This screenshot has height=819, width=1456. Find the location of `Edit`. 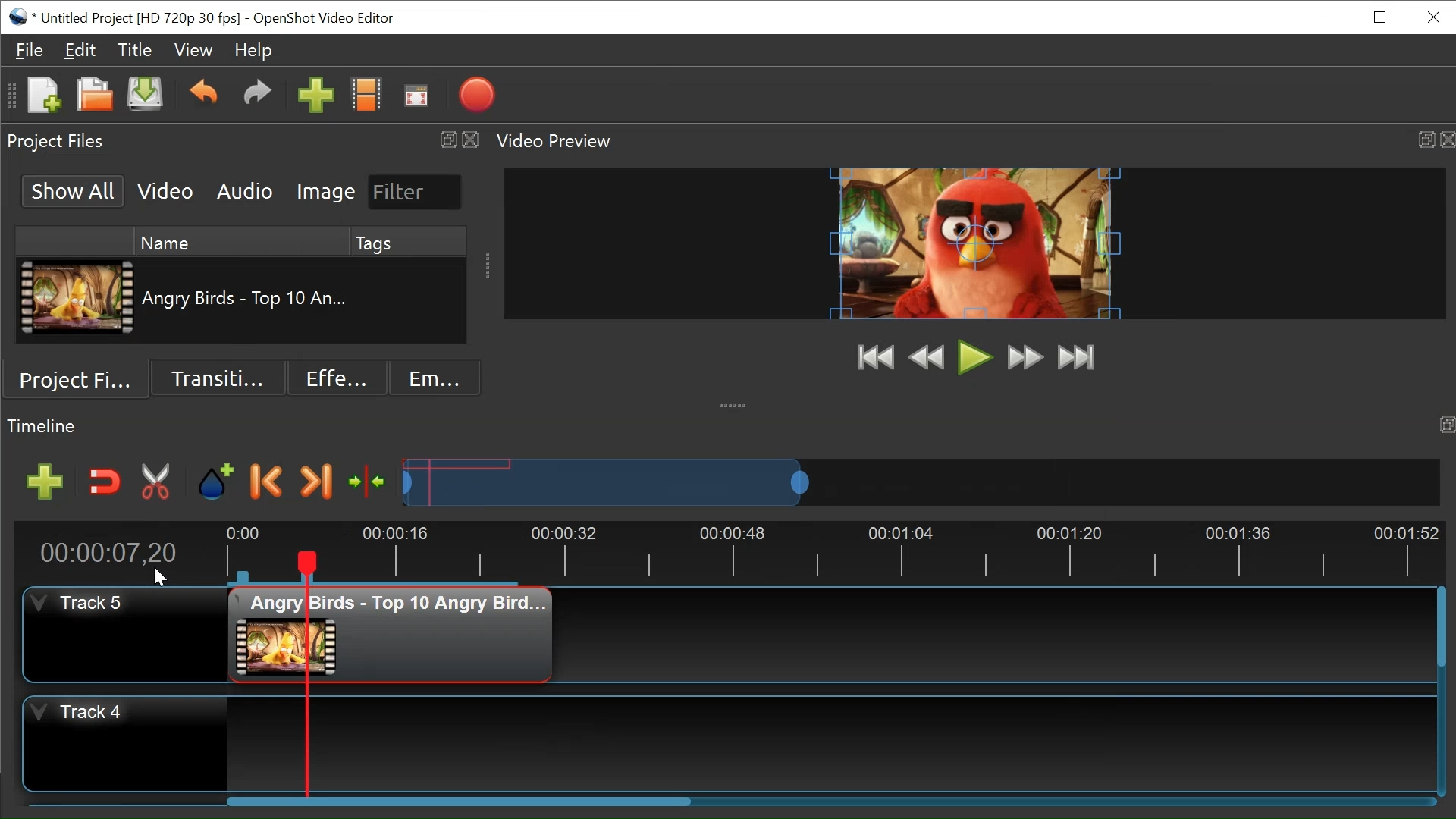

Edit is located at coordinates (81, 50).